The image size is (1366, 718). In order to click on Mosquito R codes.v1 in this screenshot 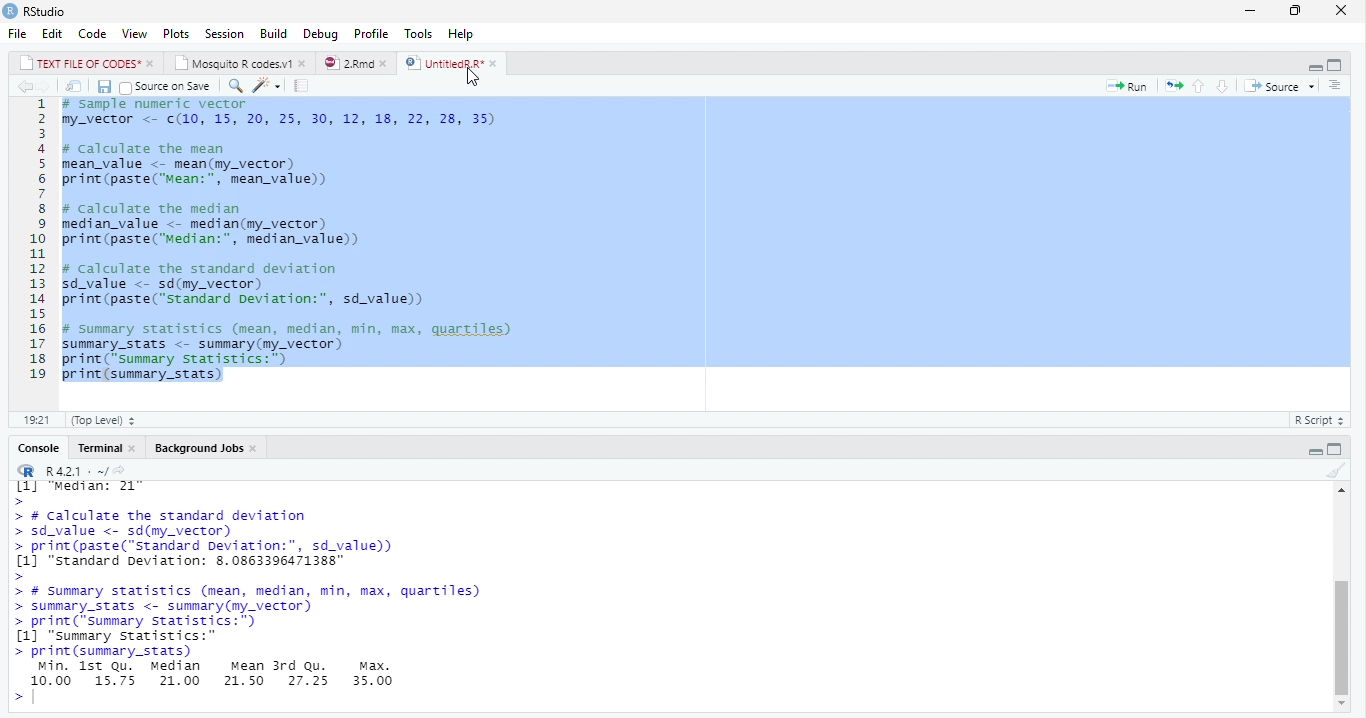, I will do `click(235, 64)`.